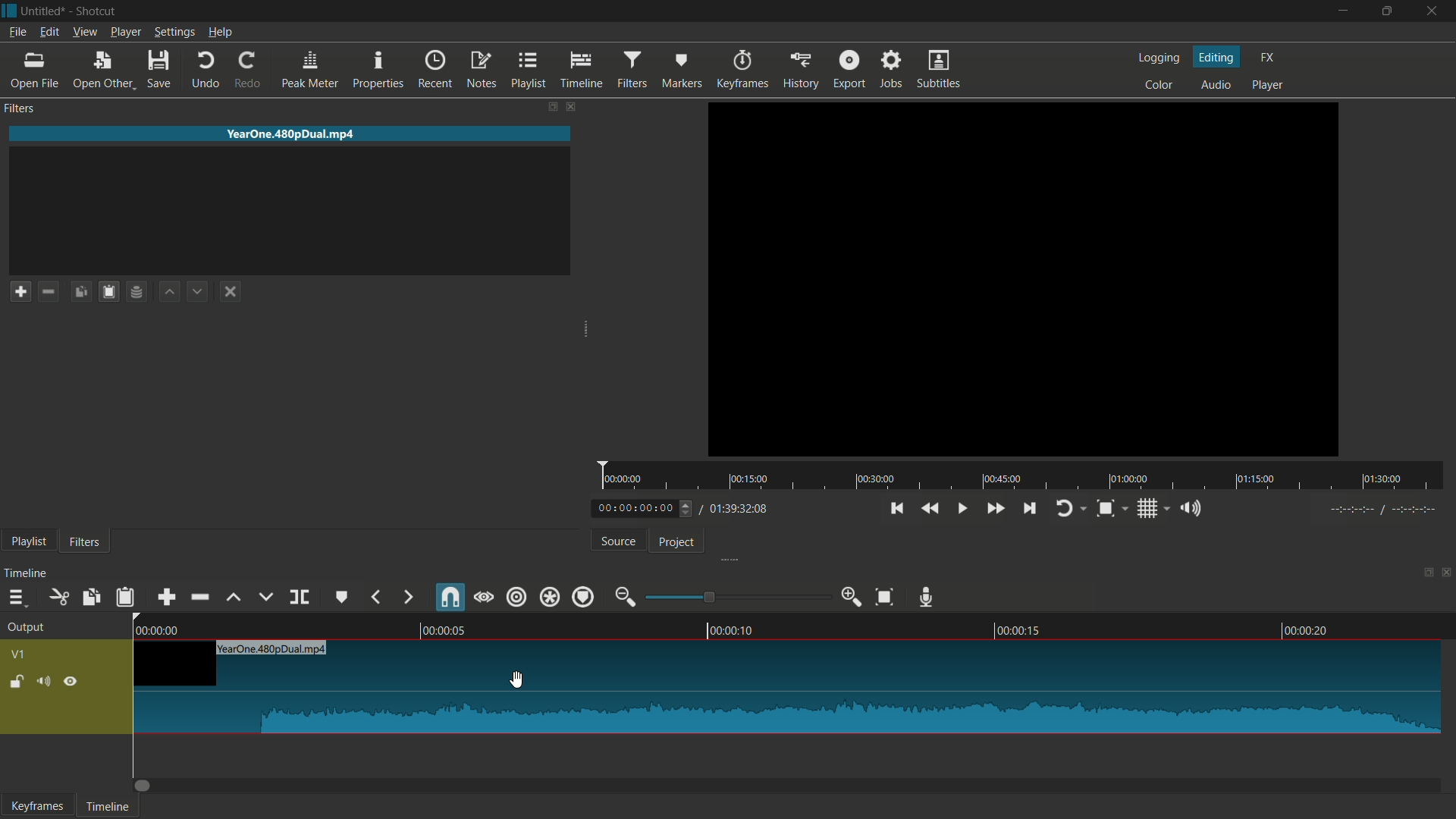  What do you see at coordinates (28, 627) in the screenshot?
I see `output` at bounding box center [28, 627].